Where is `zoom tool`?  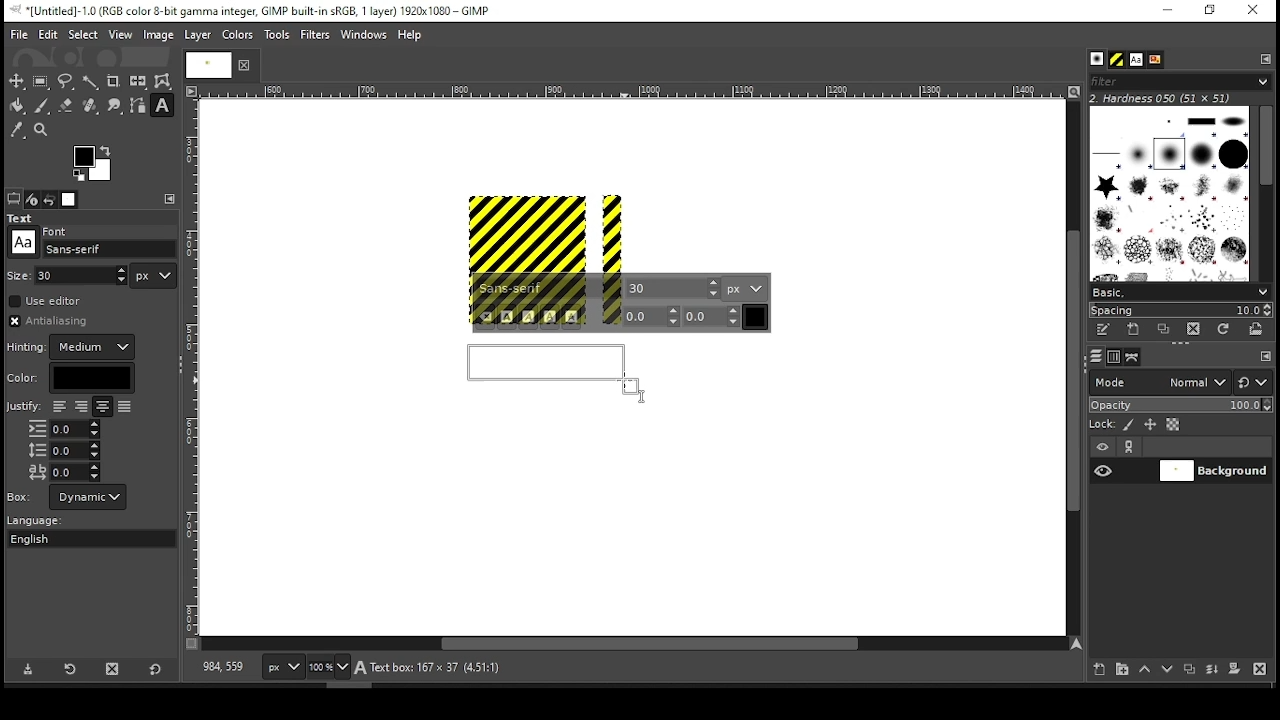 zoom tool is located at coordinates (42, 131).